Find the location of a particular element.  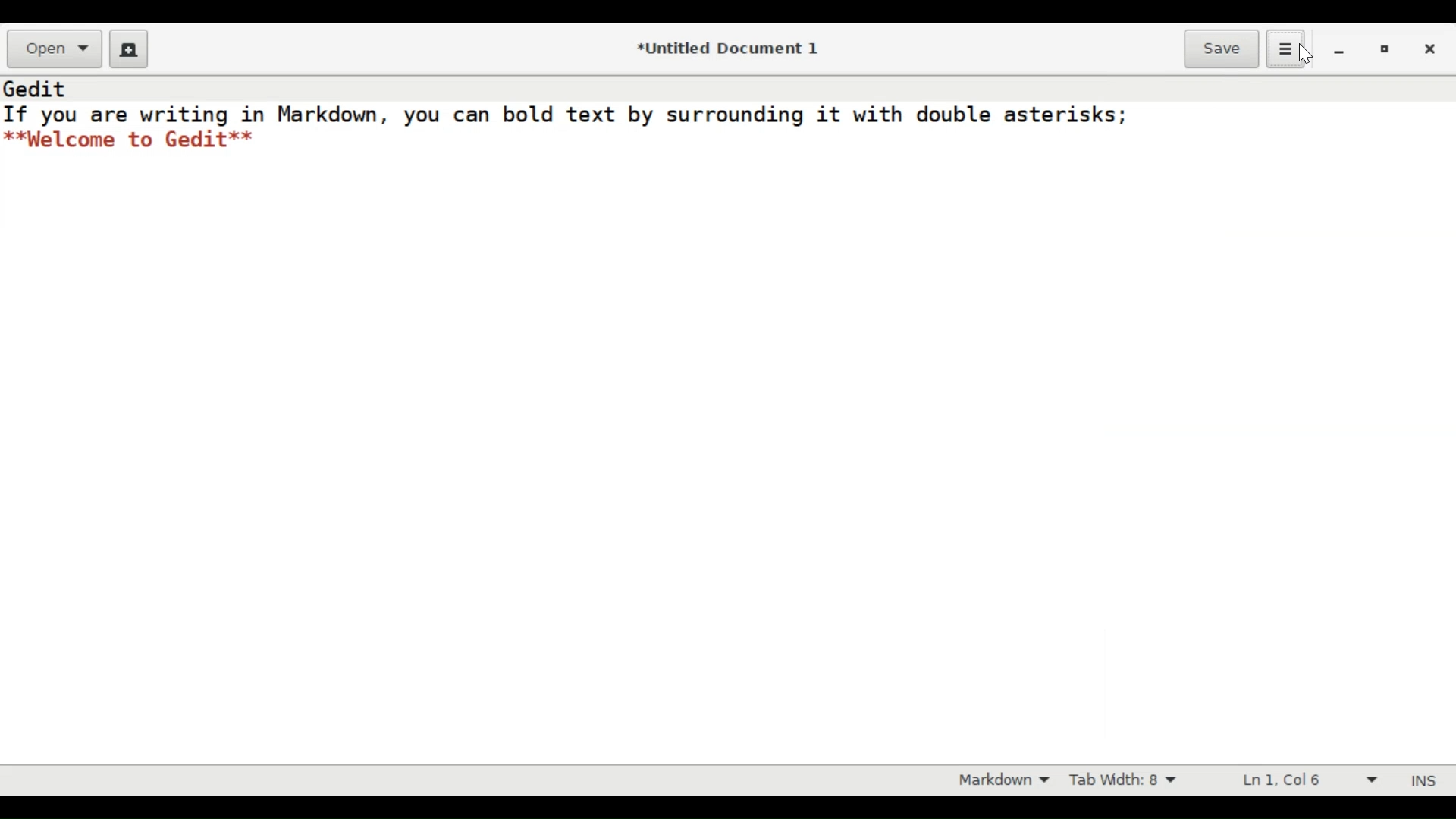

close is located at coordinates (1431, 52).